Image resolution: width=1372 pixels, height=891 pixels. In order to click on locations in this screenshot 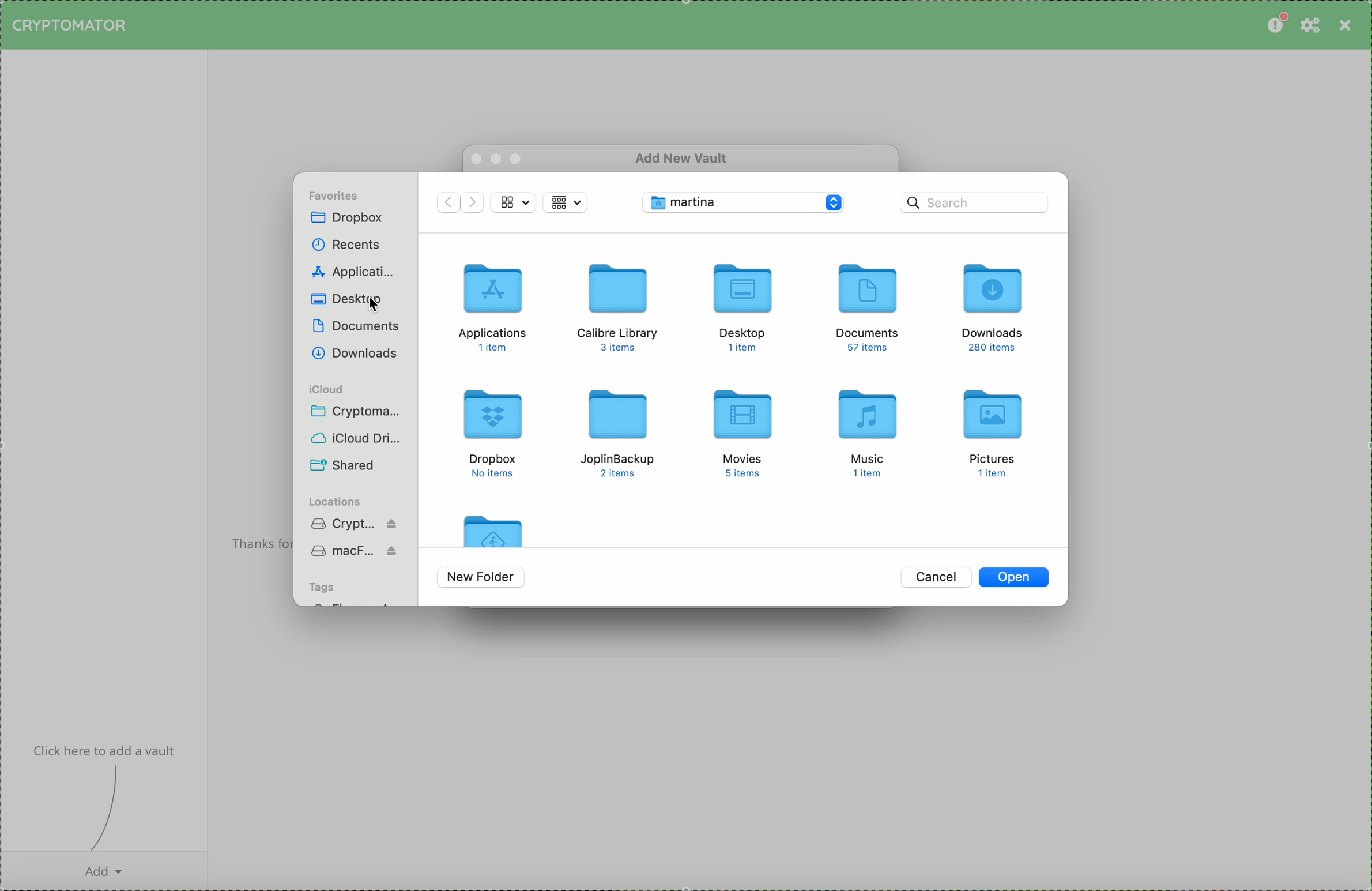, I will do `click(340, 502)`.